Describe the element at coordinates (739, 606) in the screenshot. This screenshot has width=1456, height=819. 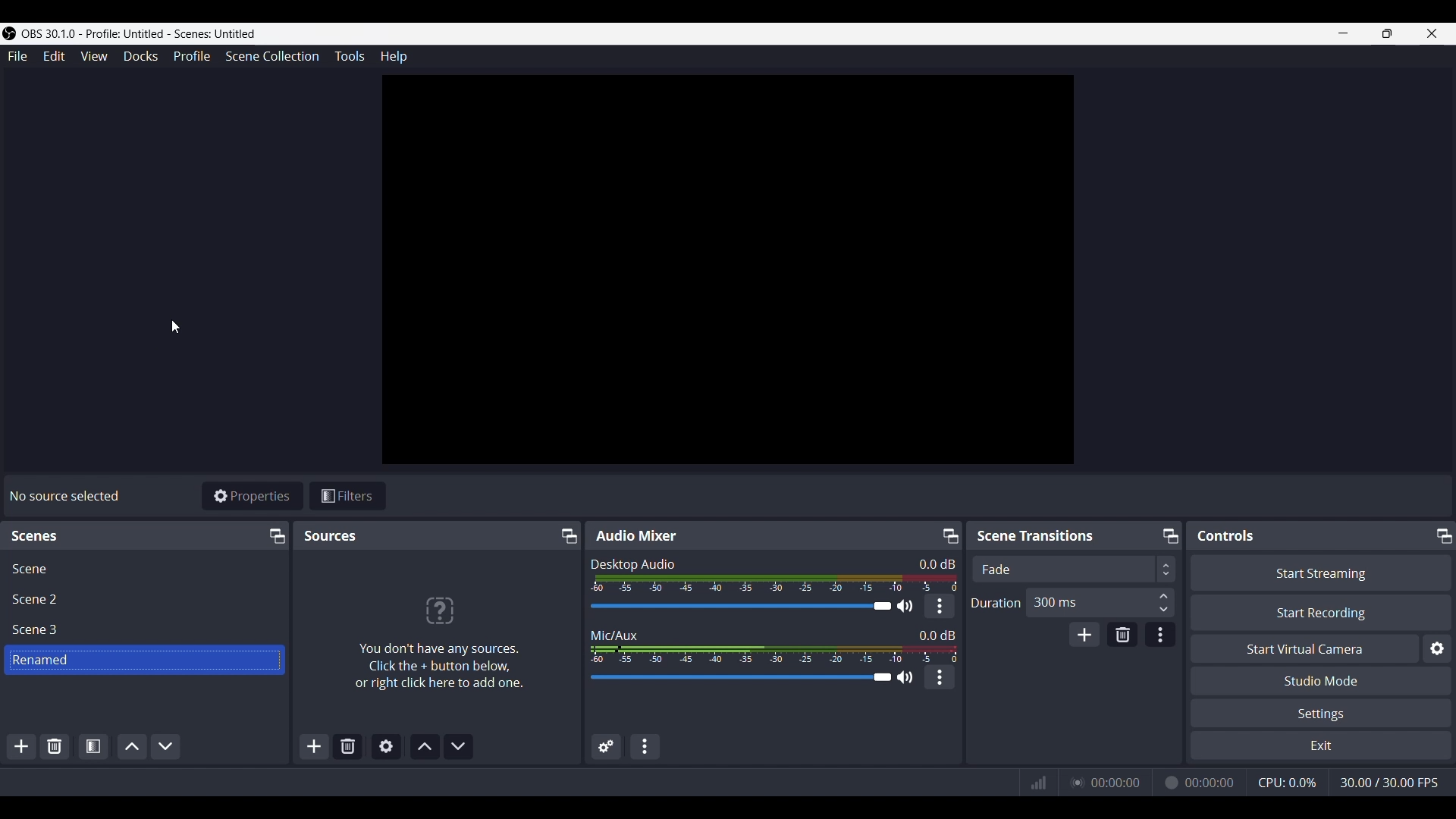
I see `Audio Slider` at that location.